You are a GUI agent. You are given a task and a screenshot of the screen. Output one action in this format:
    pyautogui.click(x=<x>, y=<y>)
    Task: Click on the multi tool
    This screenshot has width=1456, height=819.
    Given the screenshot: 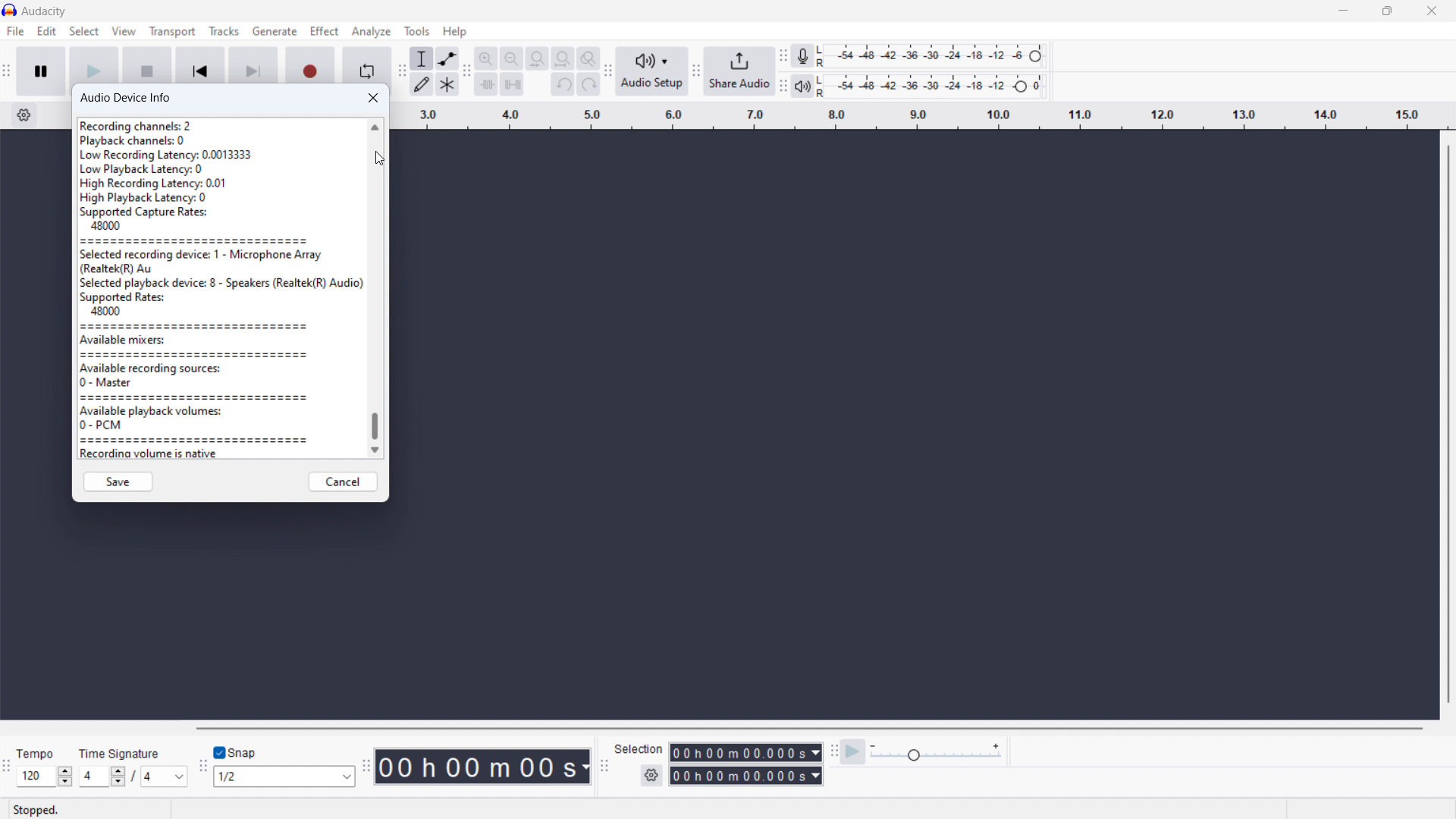 What is the action you would take?
    pyautogui.click(x=447, y=83)
    